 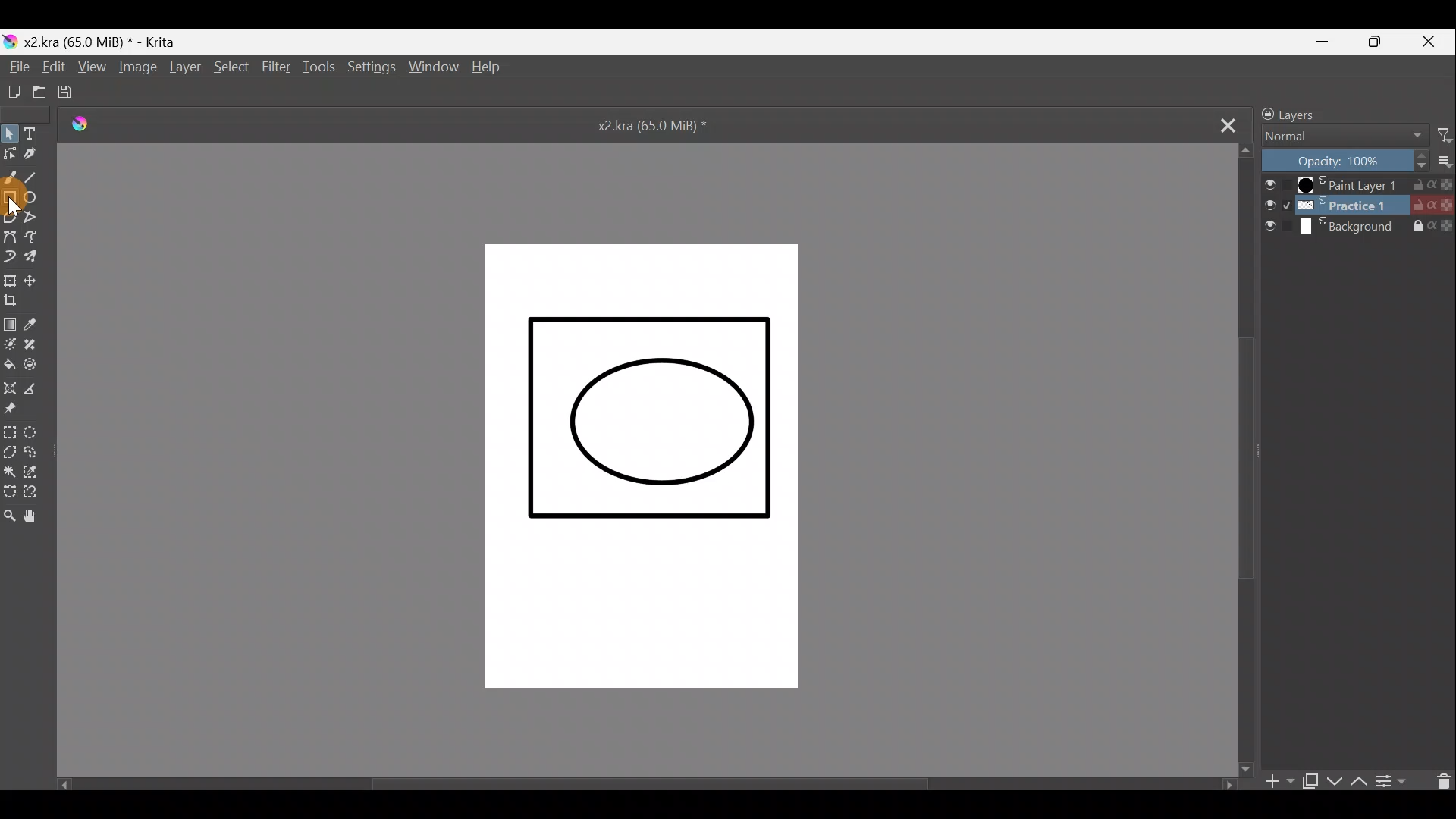 What do you see at coordinates (9, 278) in the screenshot?
I see `Transform a layer/selection` at bounding box center [9, 278].